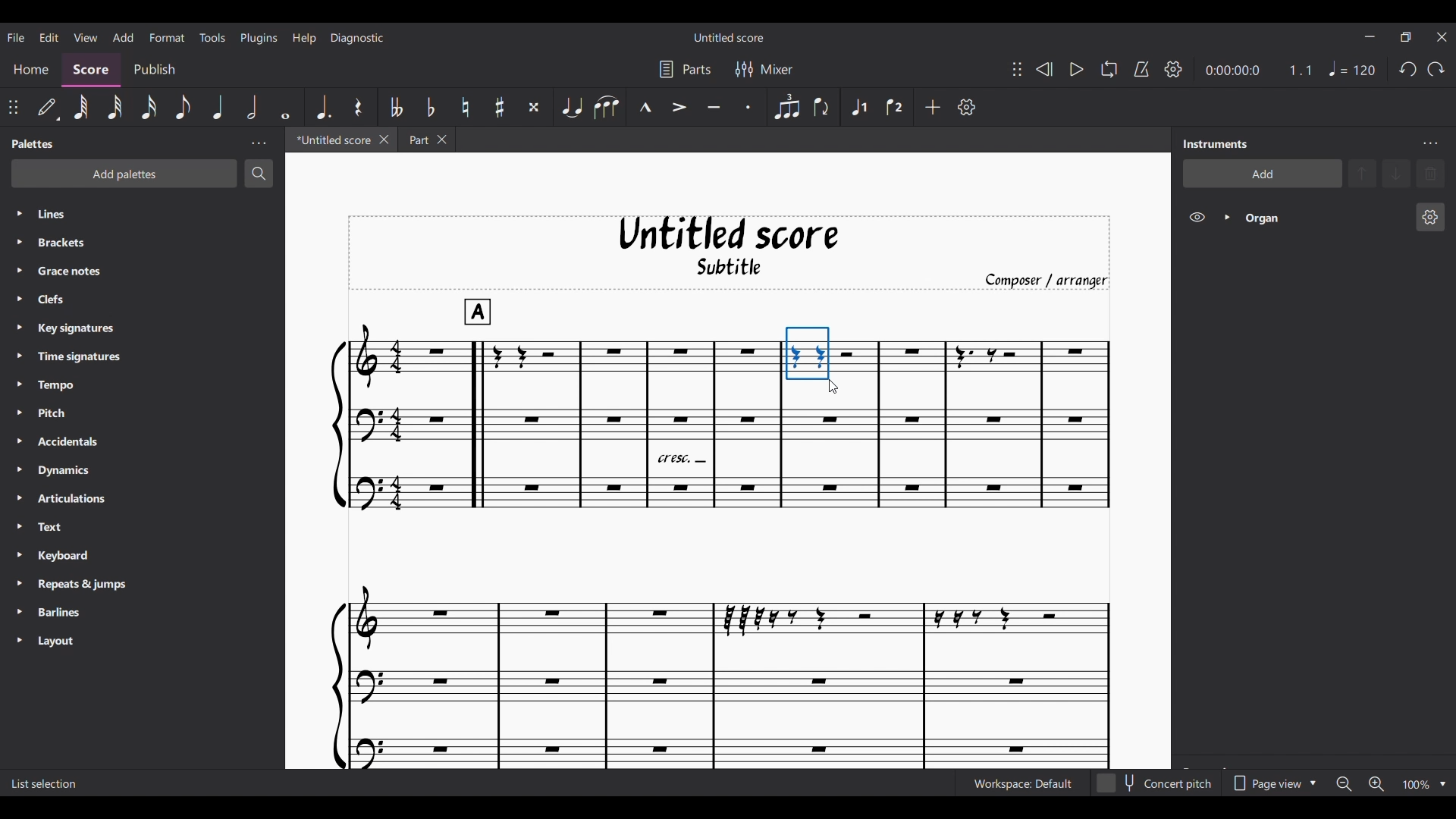 The width and height of the screenshot is (1456, 819). I want to click on Diagnostic menu, so click(358, 37).